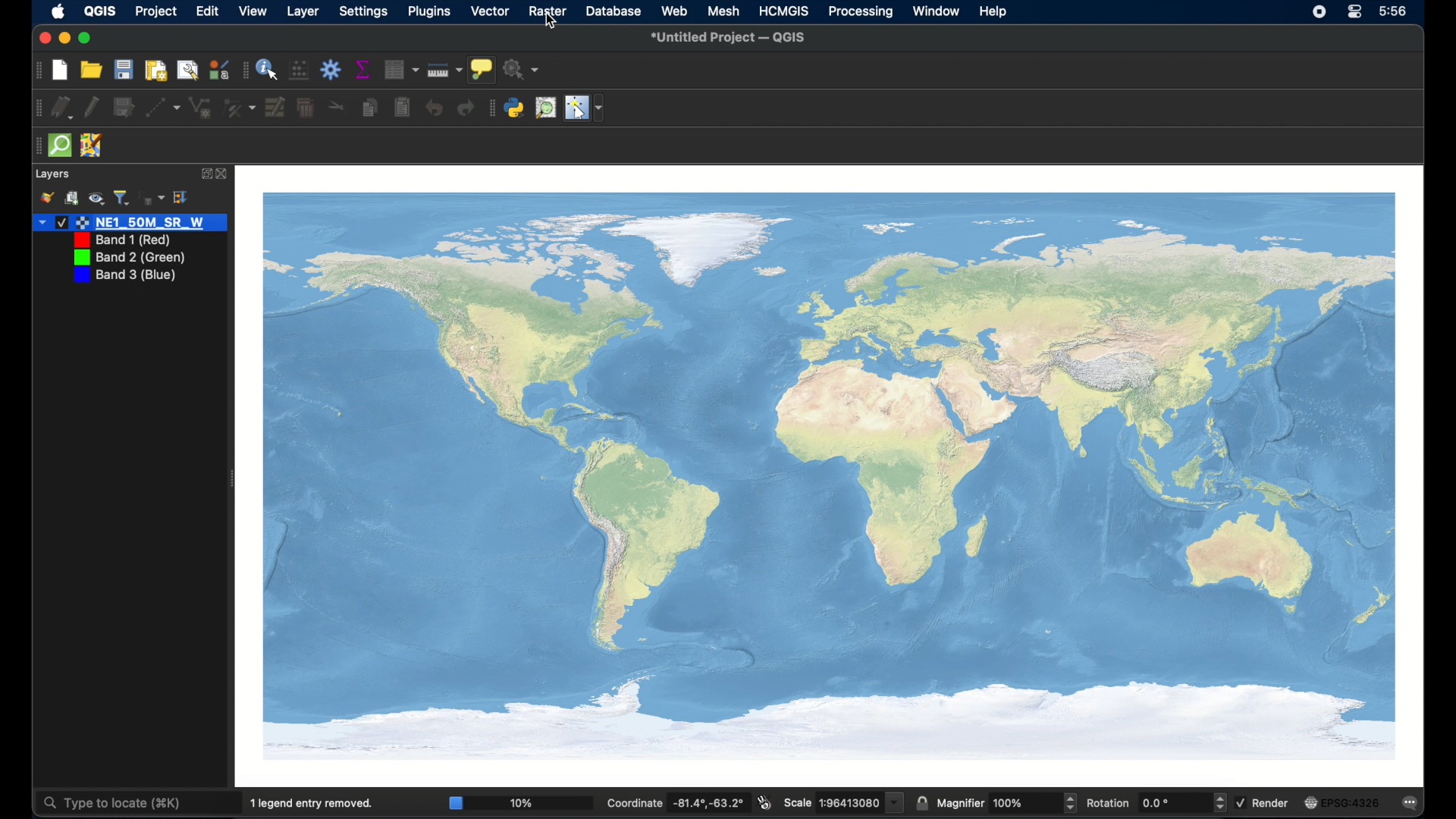  Describe the element at coordinates (1219, 805) in the screenshot. I see `increase/decrease arrows` at that location.